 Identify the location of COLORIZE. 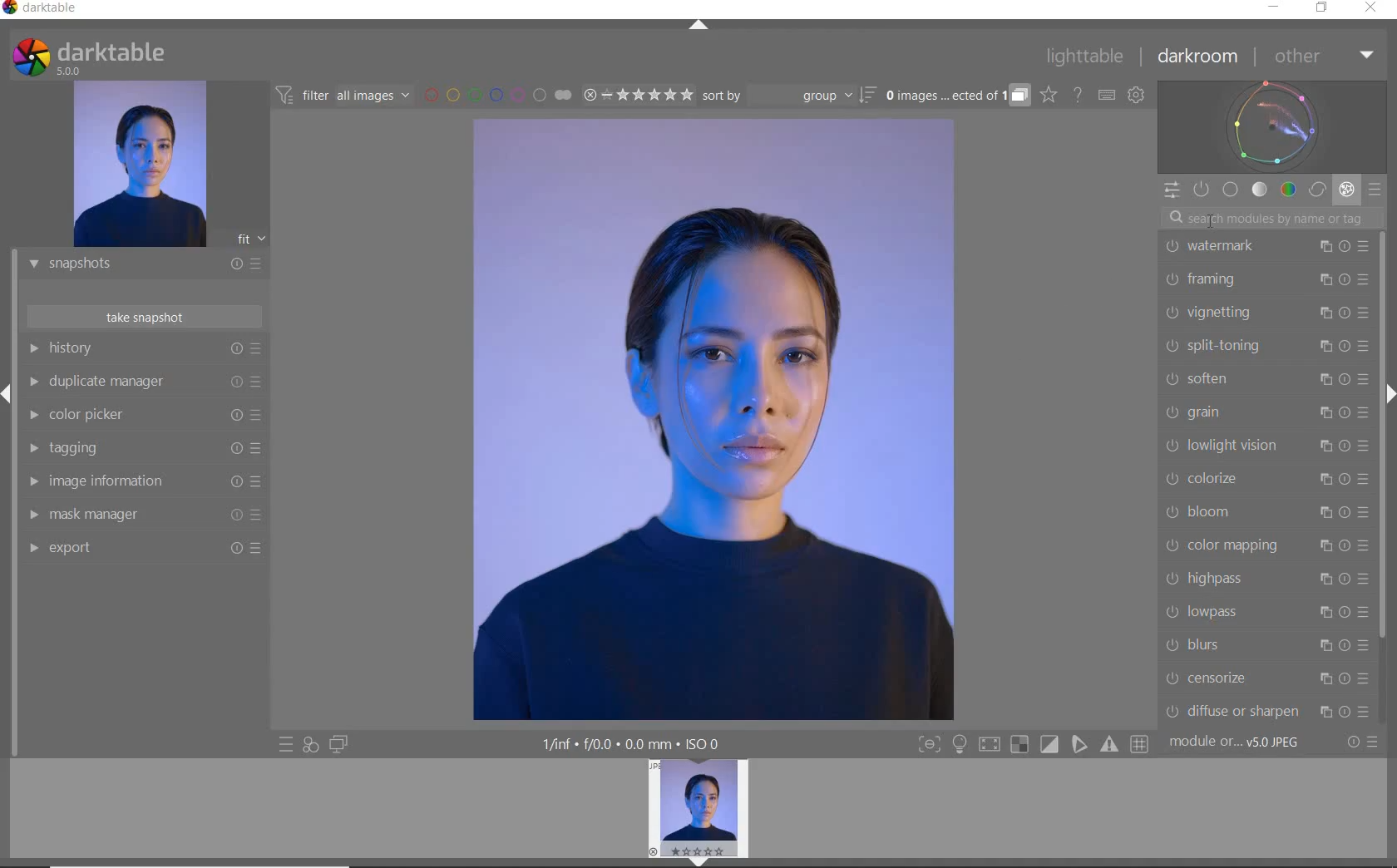
(1266, 479).